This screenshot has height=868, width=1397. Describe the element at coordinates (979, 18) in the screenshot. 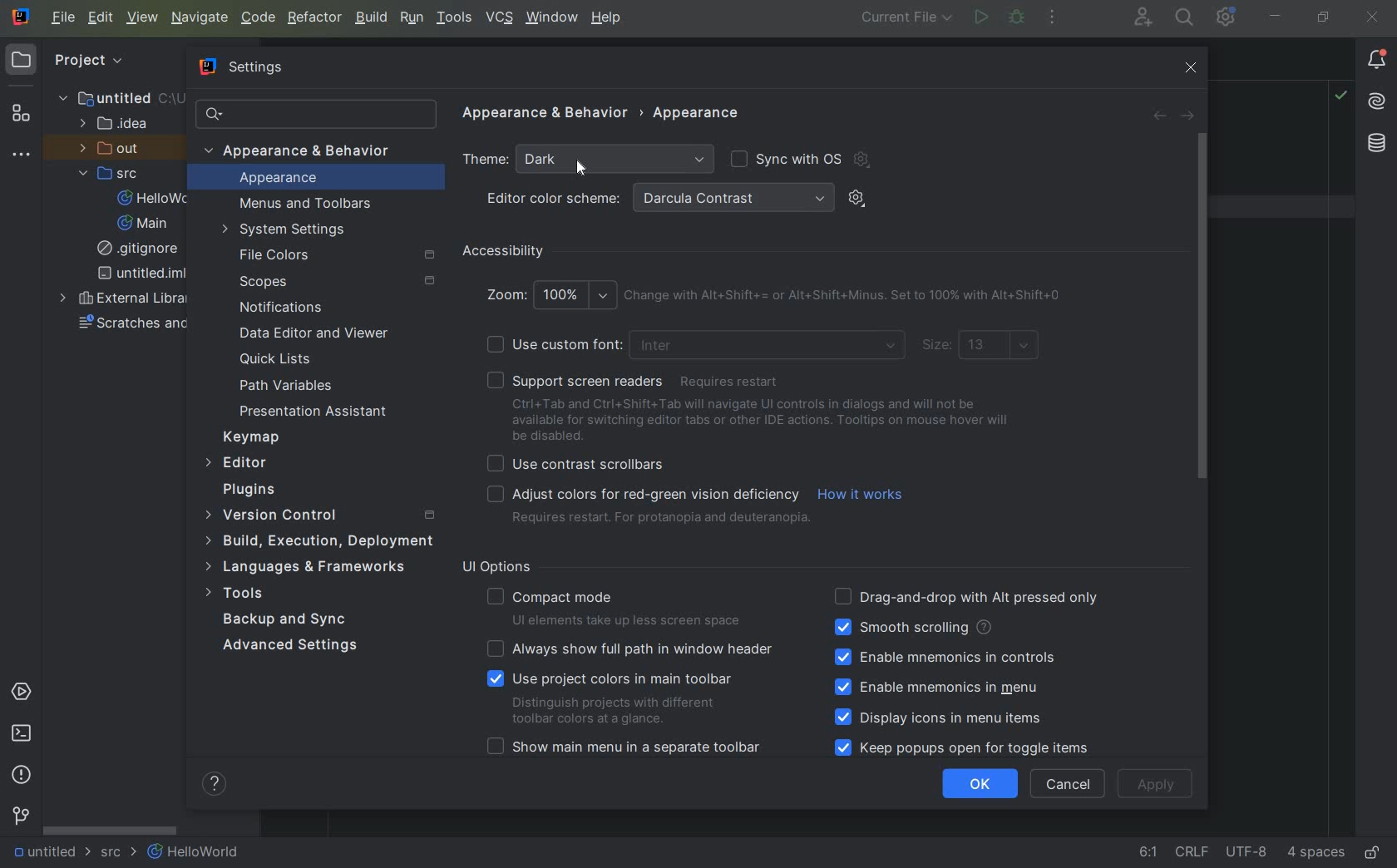

I see `RUN` at that location.